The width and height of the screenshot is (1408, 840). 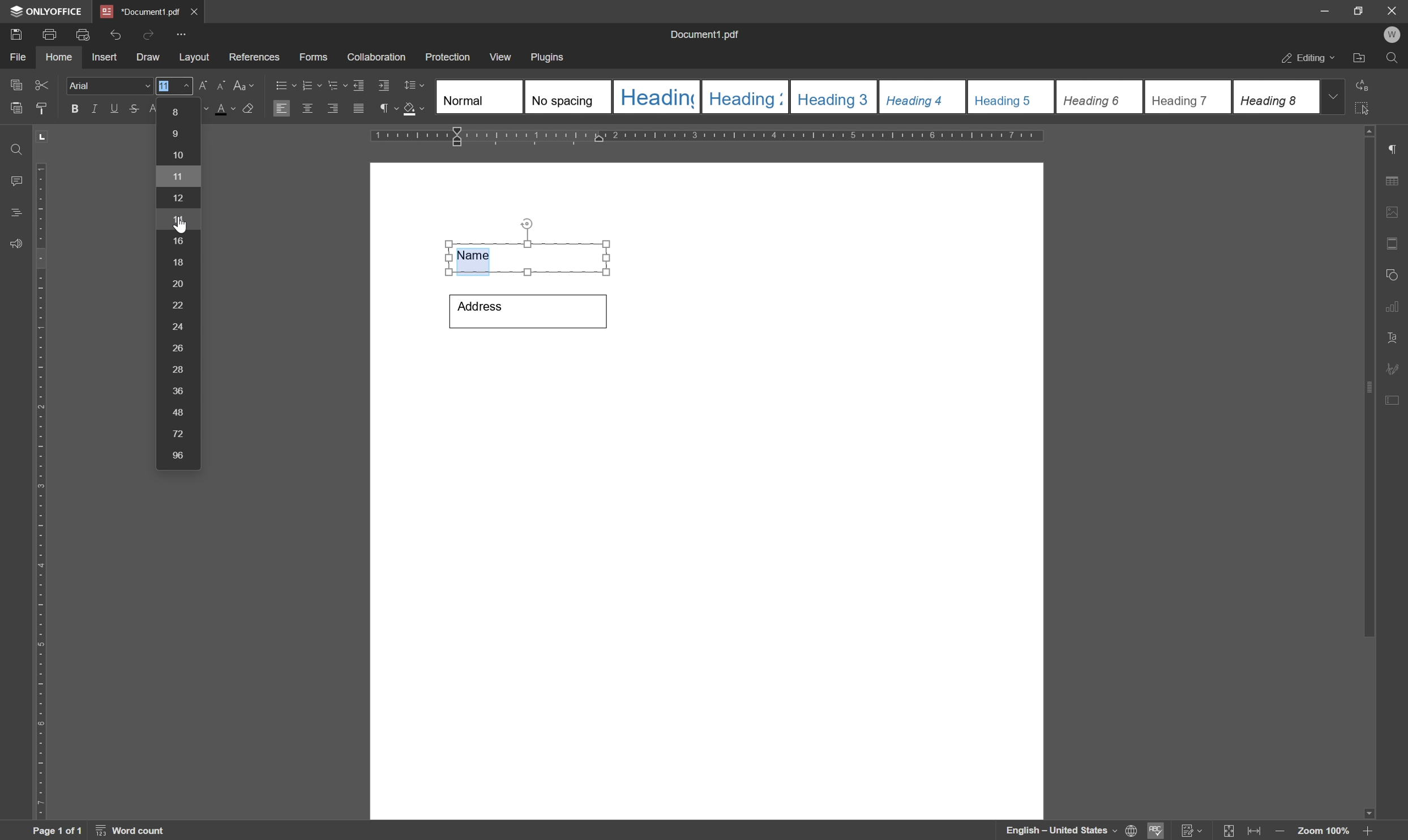 I want to click on zoom 100%, so click(x=1323, y=831).